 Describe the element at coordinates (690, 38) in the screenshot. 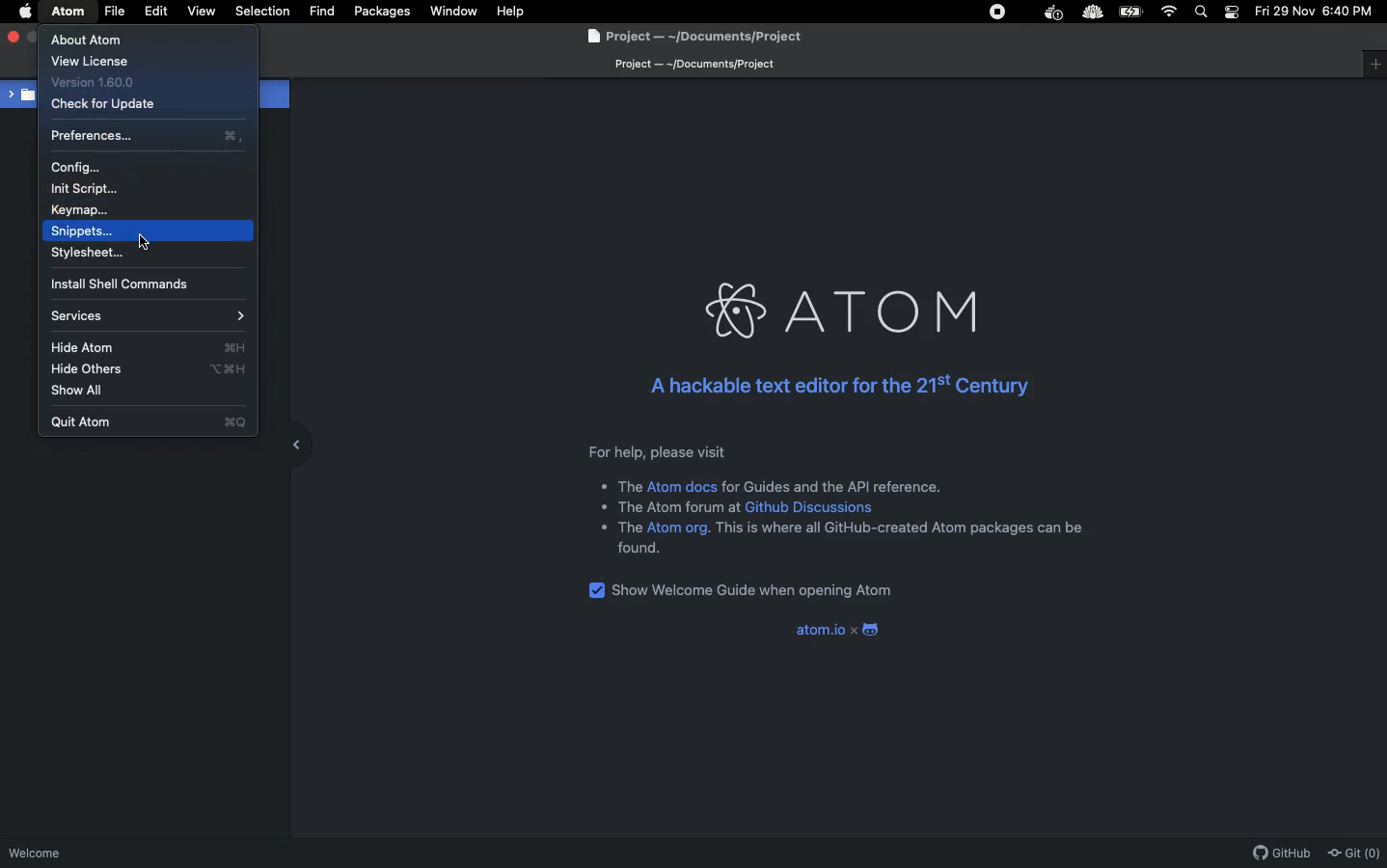

I see `Project` at that location.